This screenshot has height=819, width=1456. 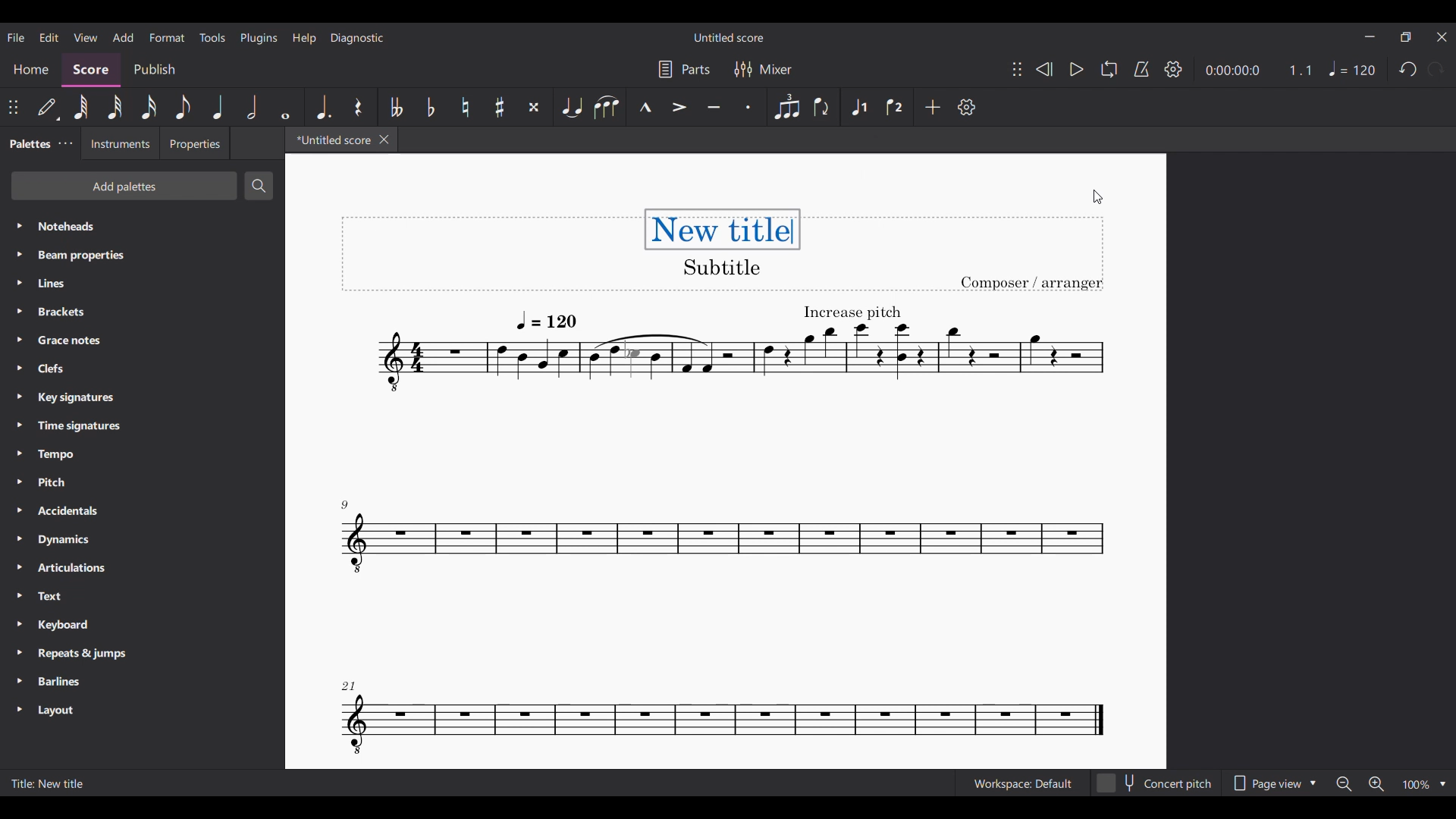 What do you see at coordinates (721, 229) in the screenshot?
I see `New title - typed in title` at bounding box center [721, 229].